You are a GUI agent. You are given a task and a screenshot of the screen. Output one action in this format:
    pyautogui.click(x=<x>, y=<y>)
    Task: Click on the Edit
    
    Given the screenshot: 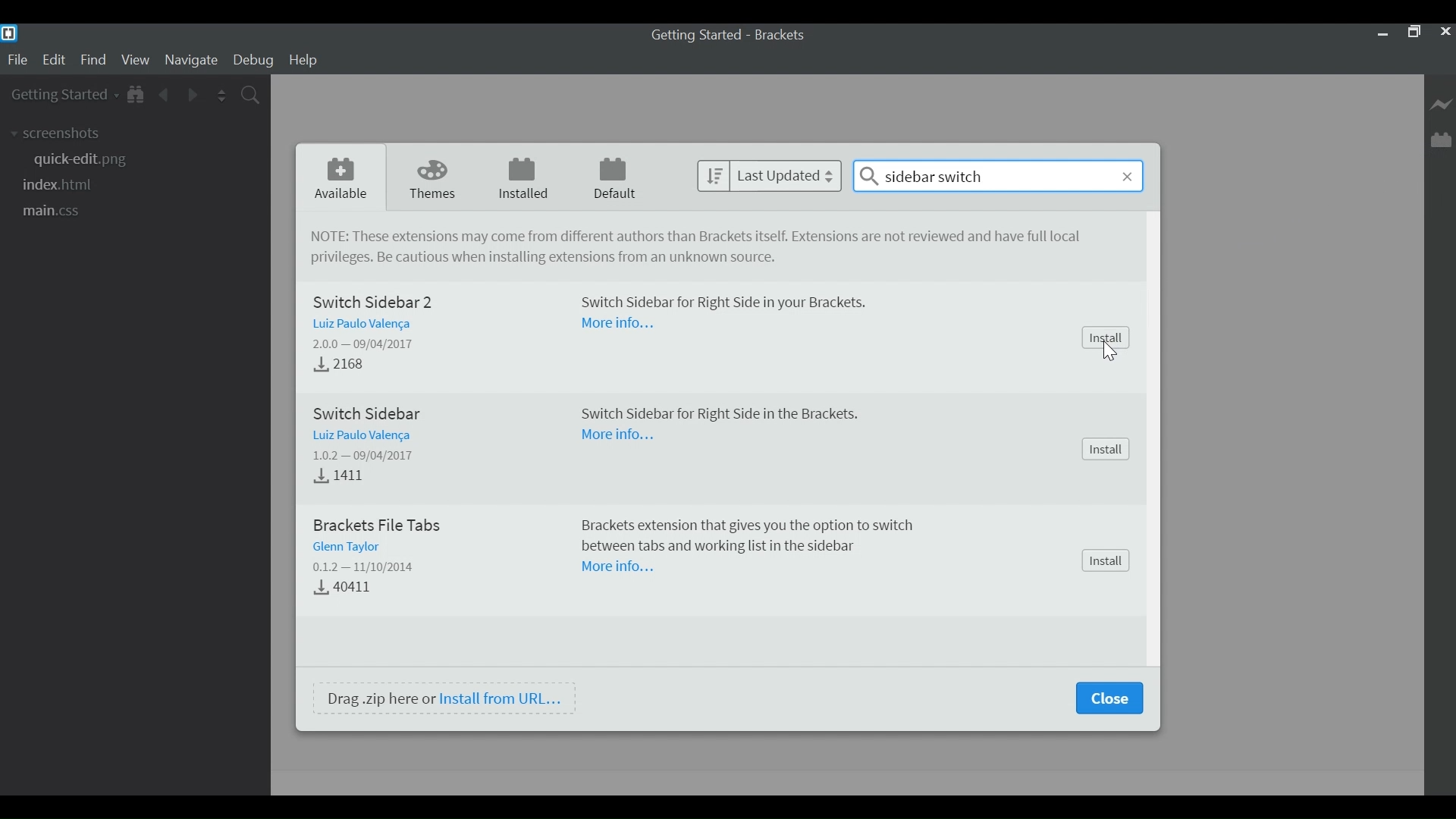 What is the action you would take?
    pyautogui.click(x=55, y=61)
    